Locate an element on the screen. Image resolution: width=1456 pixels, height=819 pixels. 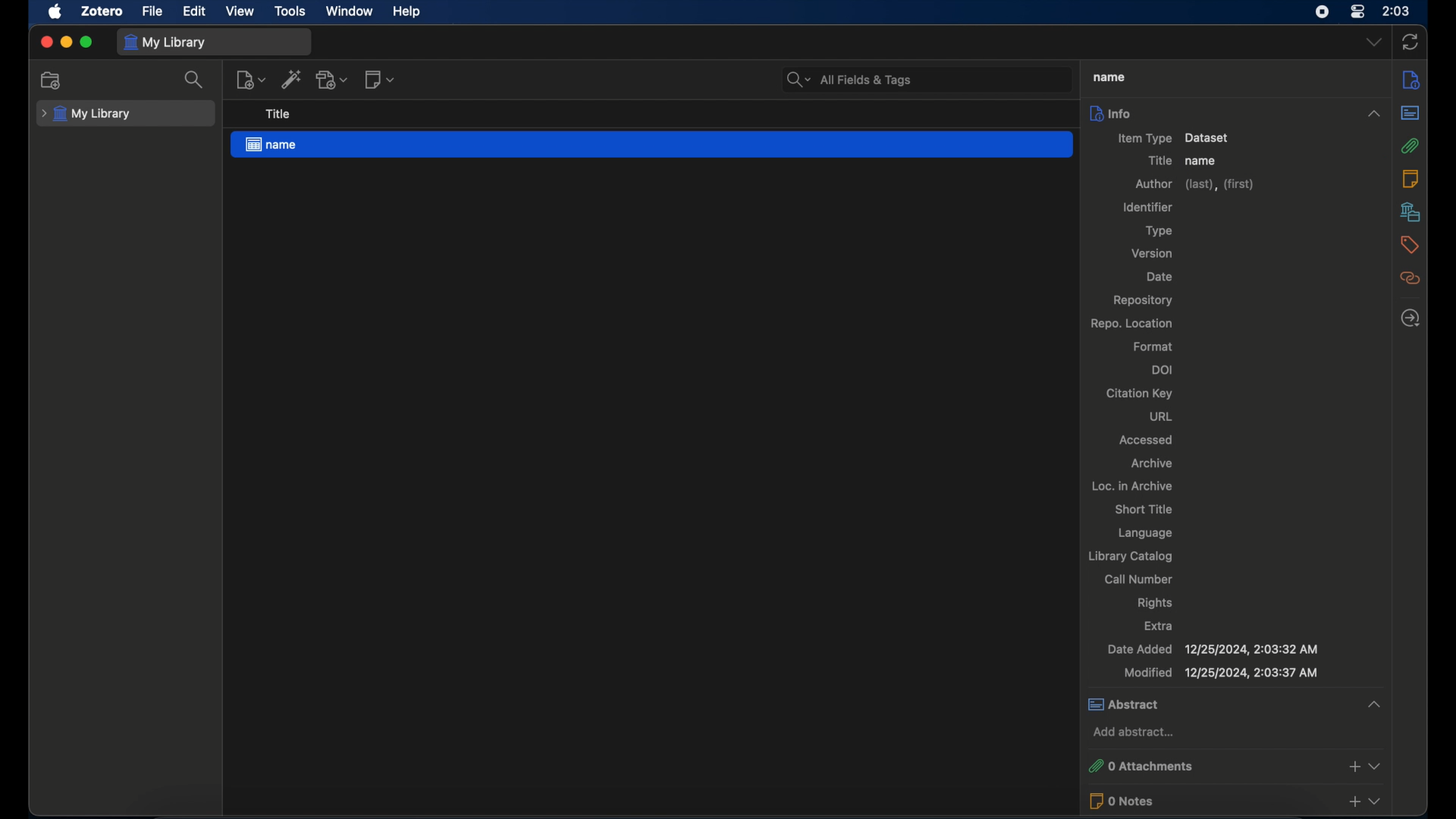
related is located at coordinates (1410, 278).